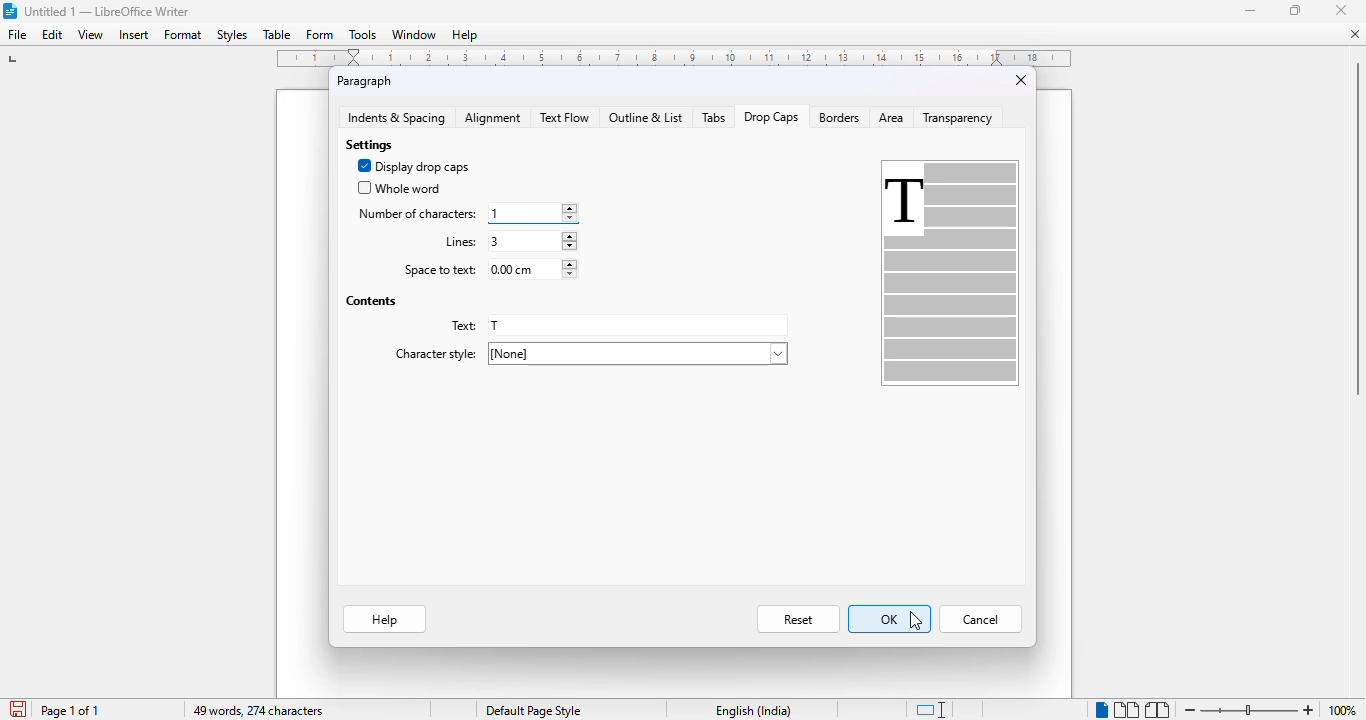 This screenshot has width=1366, height=720. I want to click on borders, so click(838, 118).